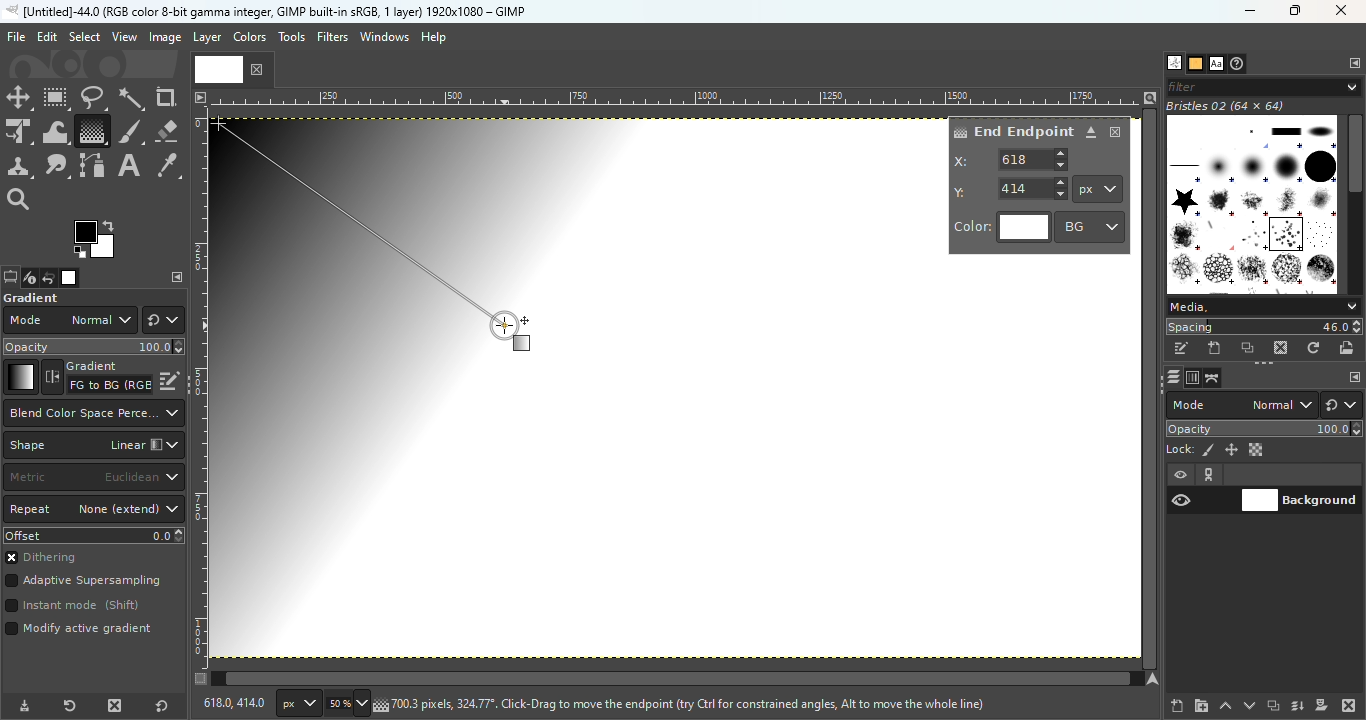 Image resolution: width=1366 pixels, height=720 pixels. I want to click on Merge this layer with the first visible layer below it, so click(1298, 706).